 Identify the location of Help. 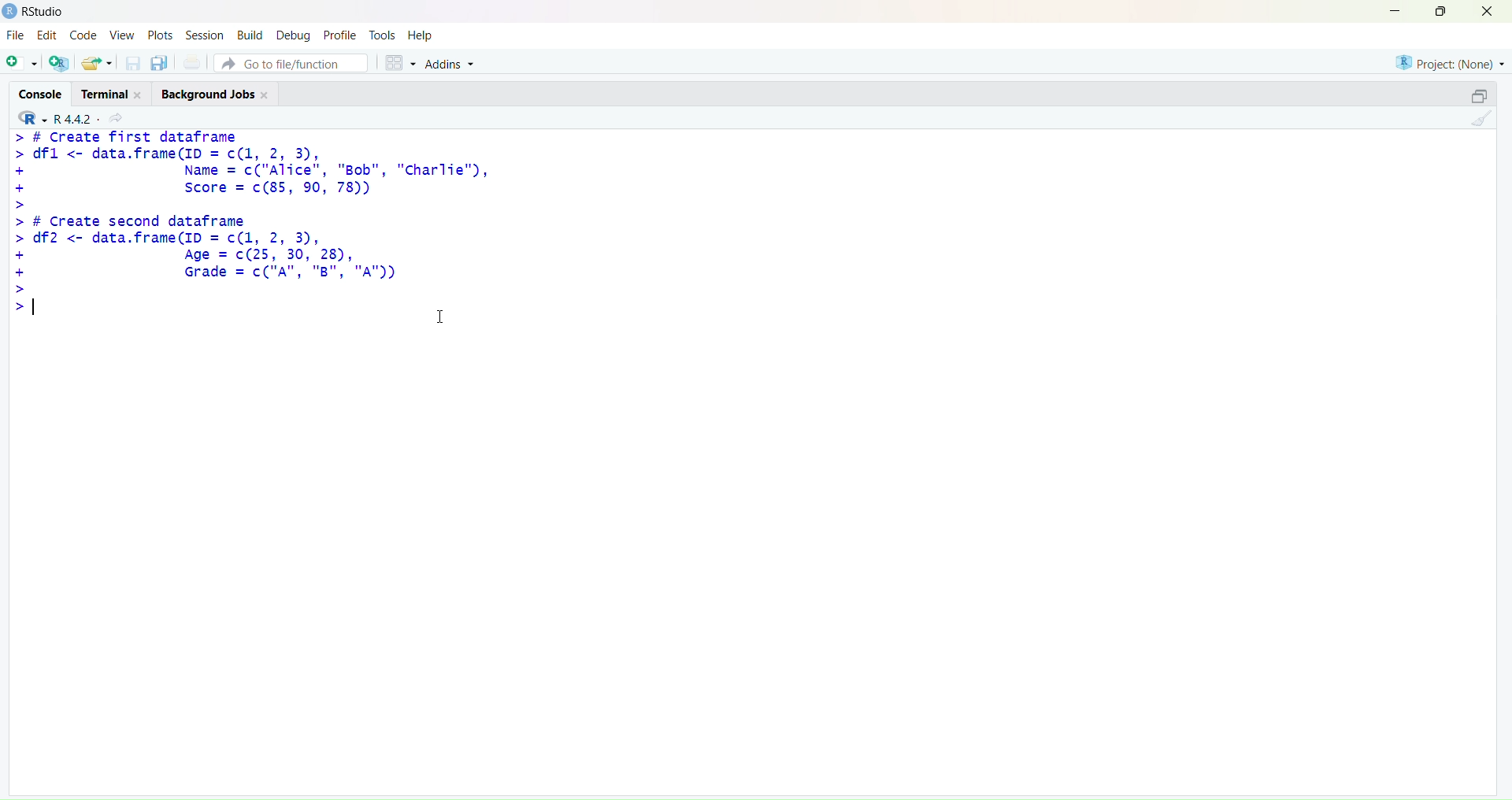
(419, 35).